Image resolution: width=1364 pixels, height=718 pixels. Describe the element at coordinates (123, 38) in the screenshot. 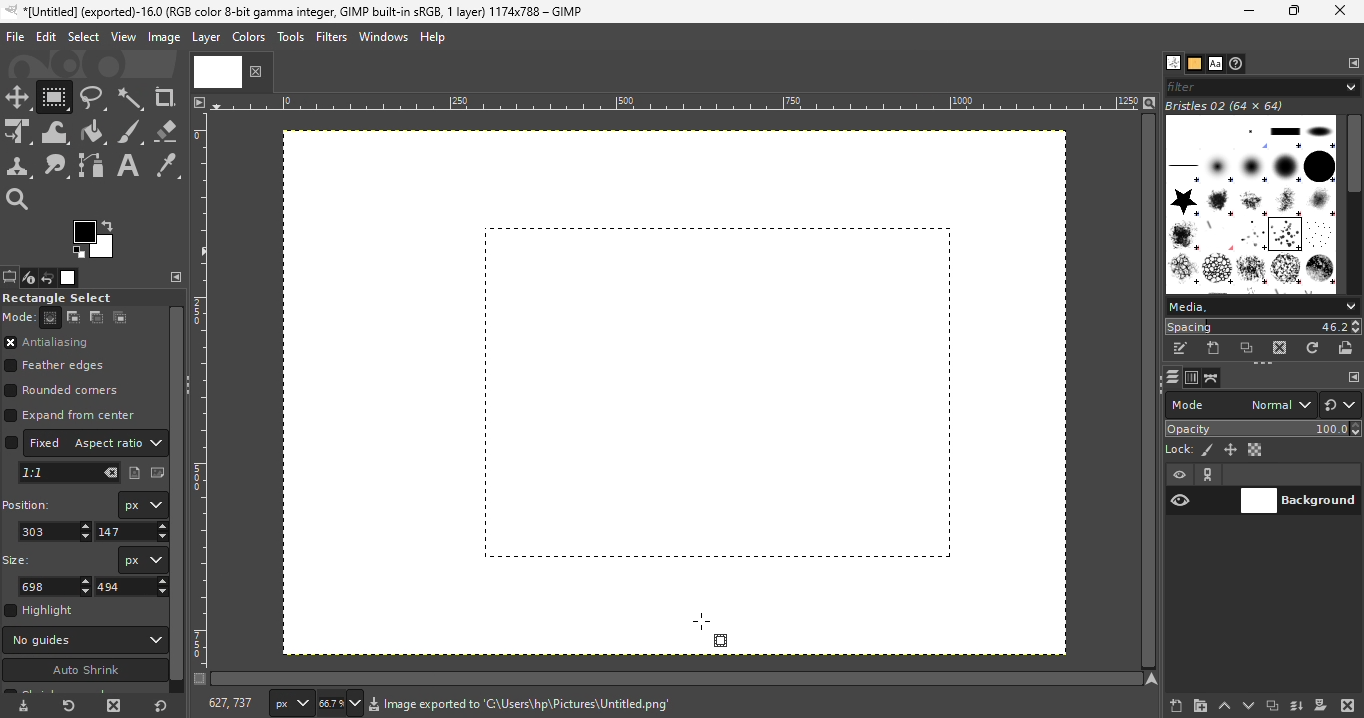

I see `View` at that location.